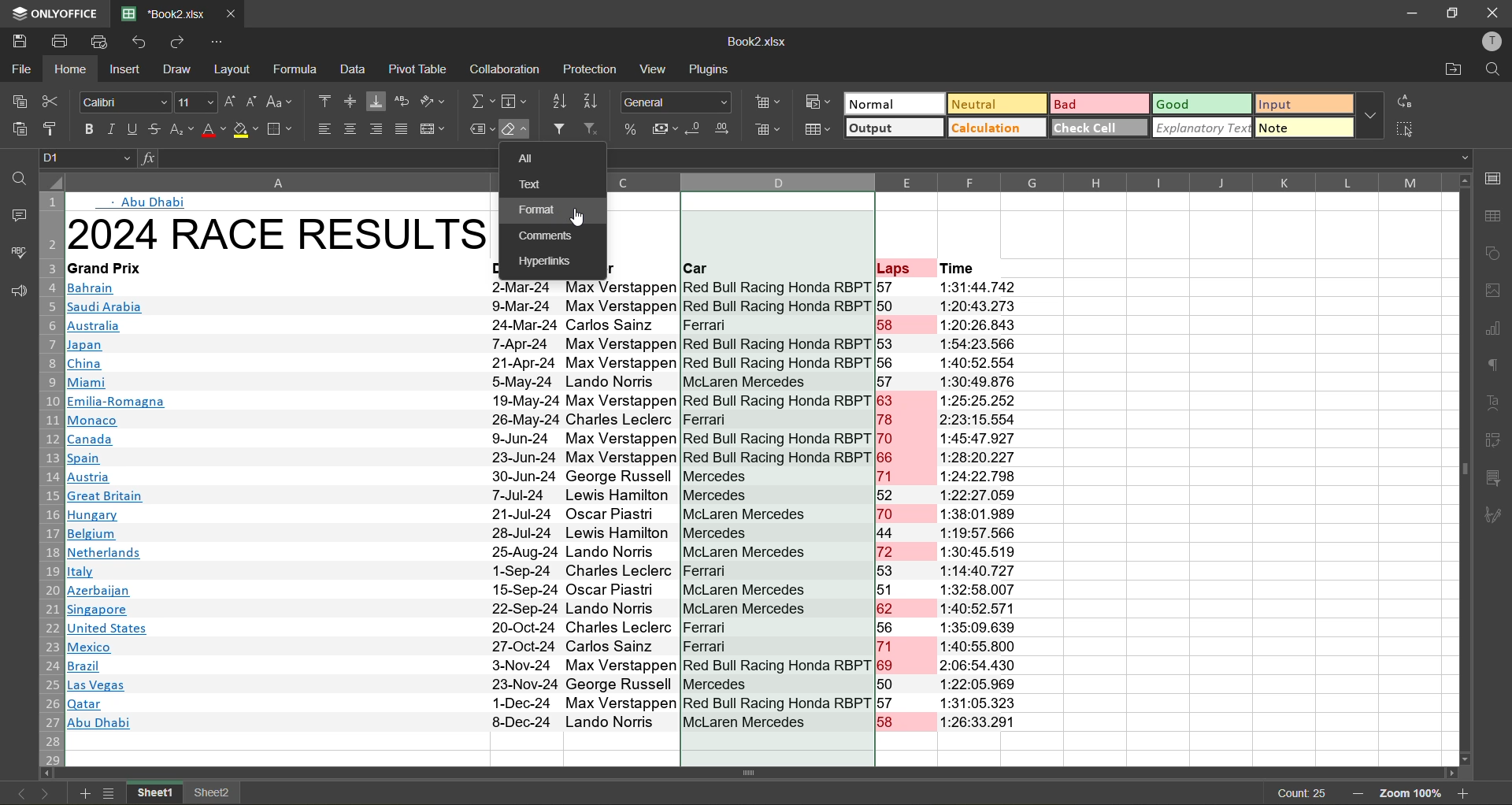 The width and height of the screenshot is (1512, 805). I want to click on borders, so click(283, 129).